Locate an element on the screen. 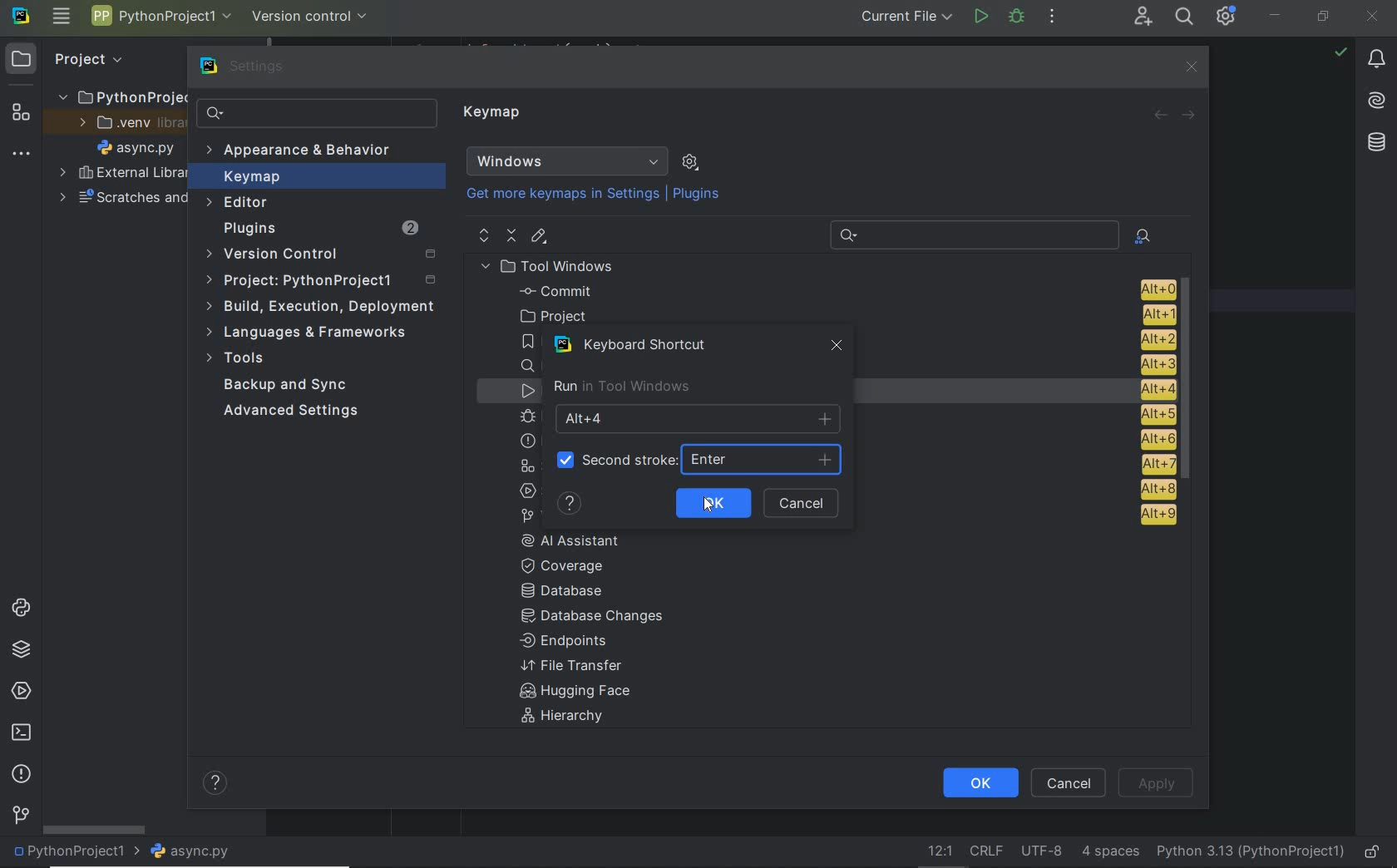 The height and width of the screenshot is (868, 1397). Recent Search is located at coordinates (971, 233).